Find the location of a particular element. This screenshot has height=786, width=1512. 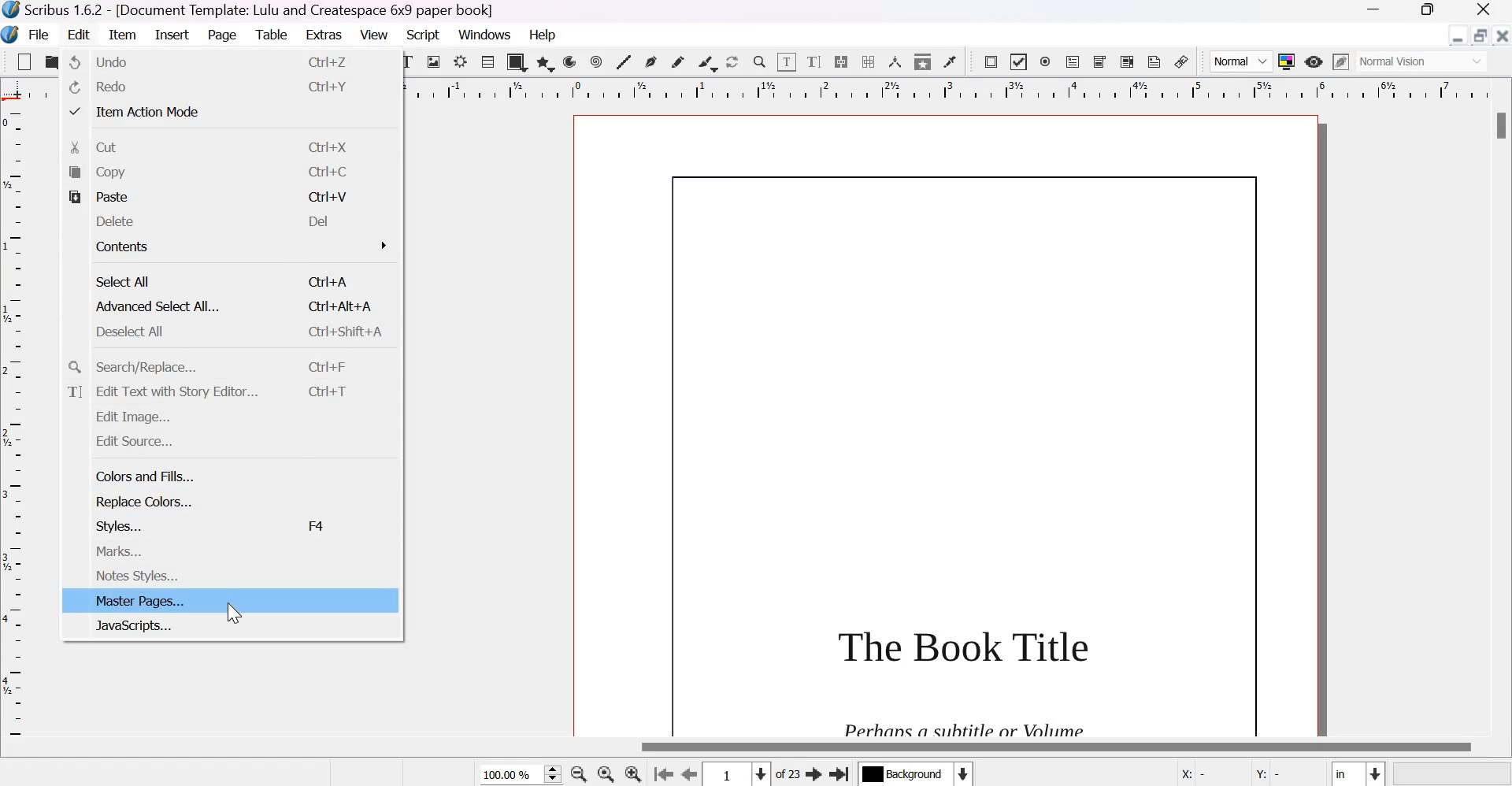

Preview Mode is located at coordinates (1314, 61).